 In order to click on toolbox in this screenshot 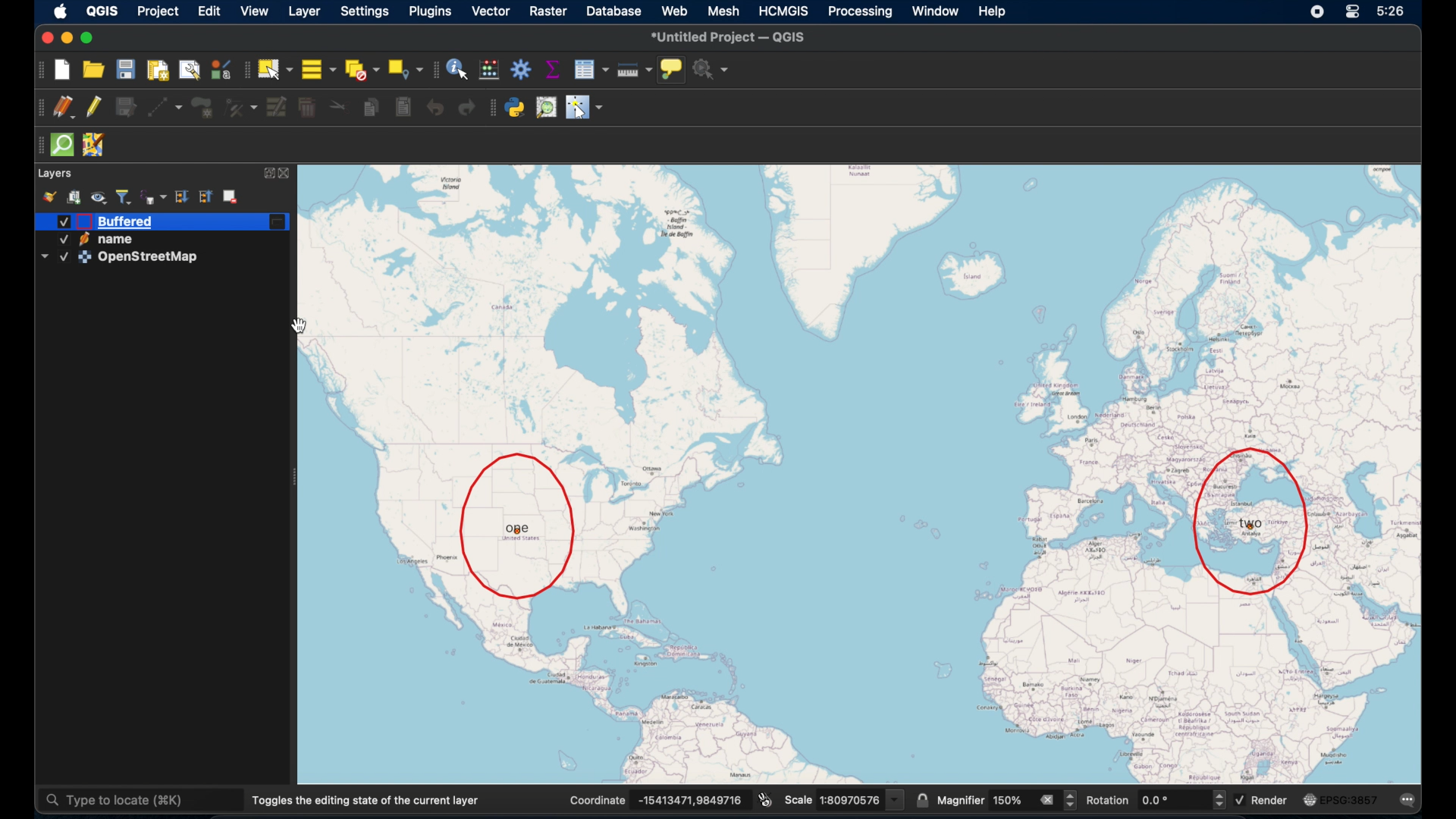, I will do `click(522, 67)`.